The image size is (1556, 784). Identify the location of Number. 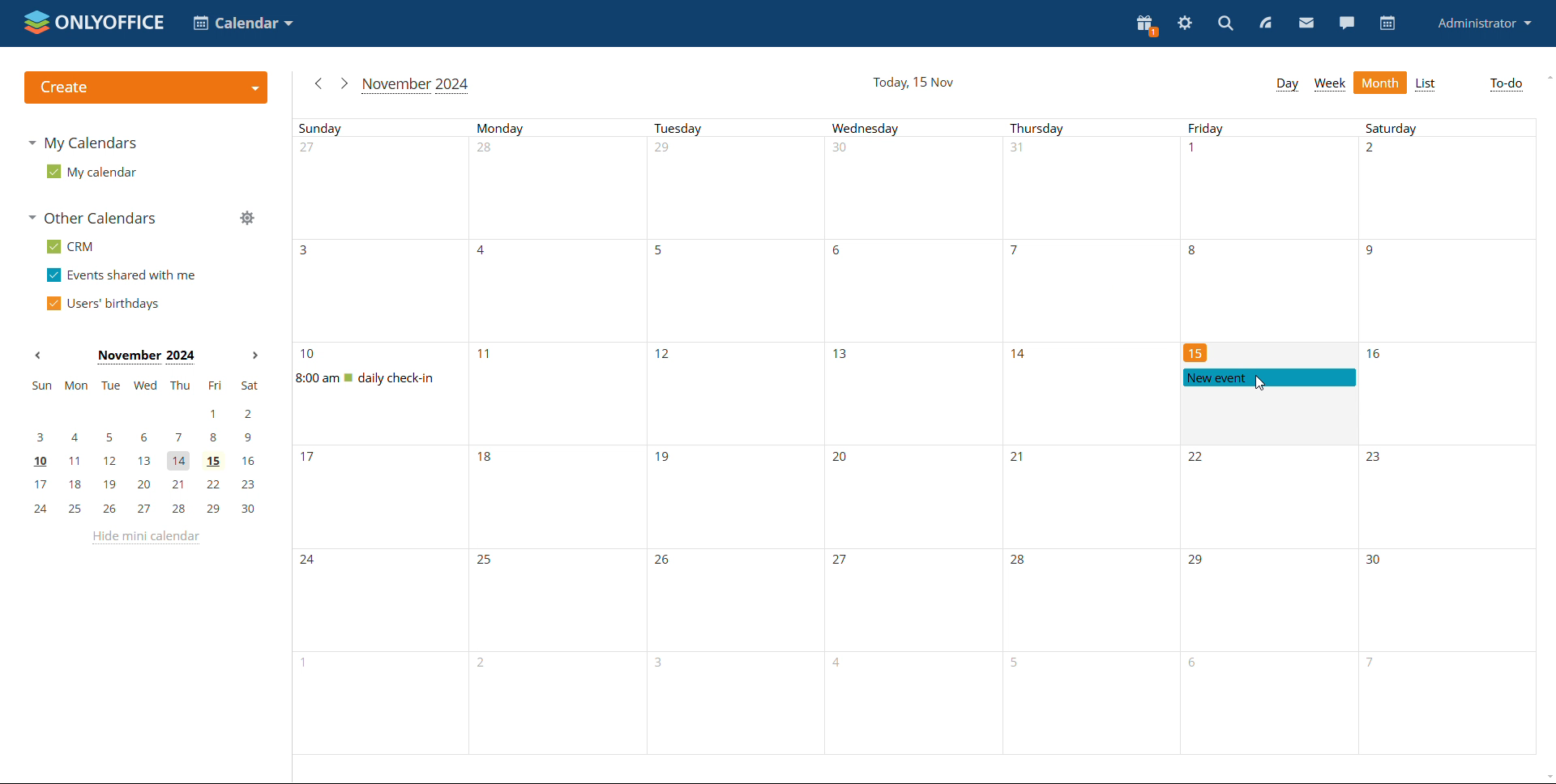
(310, 252).